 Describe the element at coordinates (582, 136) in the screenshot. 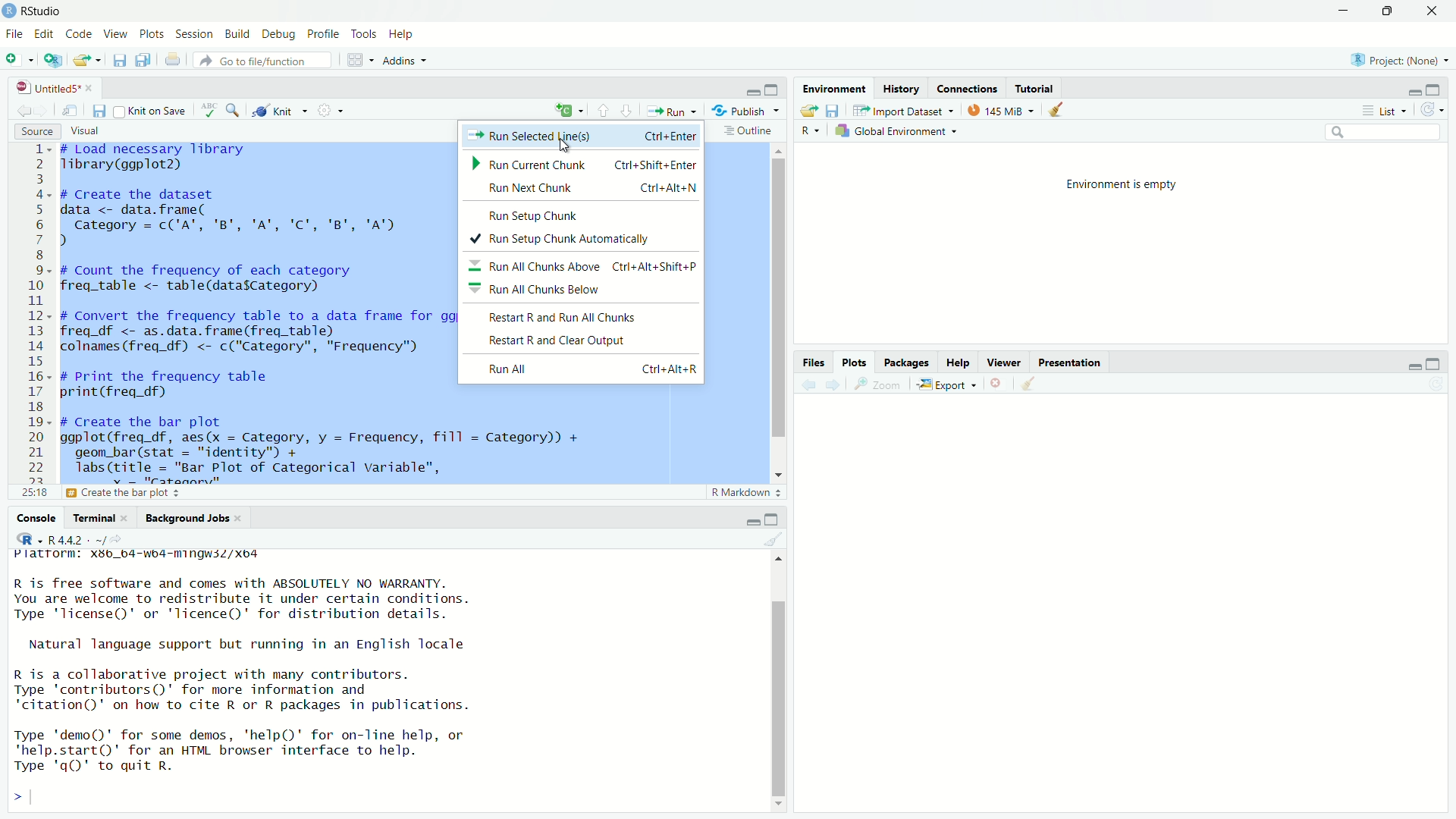

I see `Run Selected Lne(s) Ctrl+Enter` at that location.